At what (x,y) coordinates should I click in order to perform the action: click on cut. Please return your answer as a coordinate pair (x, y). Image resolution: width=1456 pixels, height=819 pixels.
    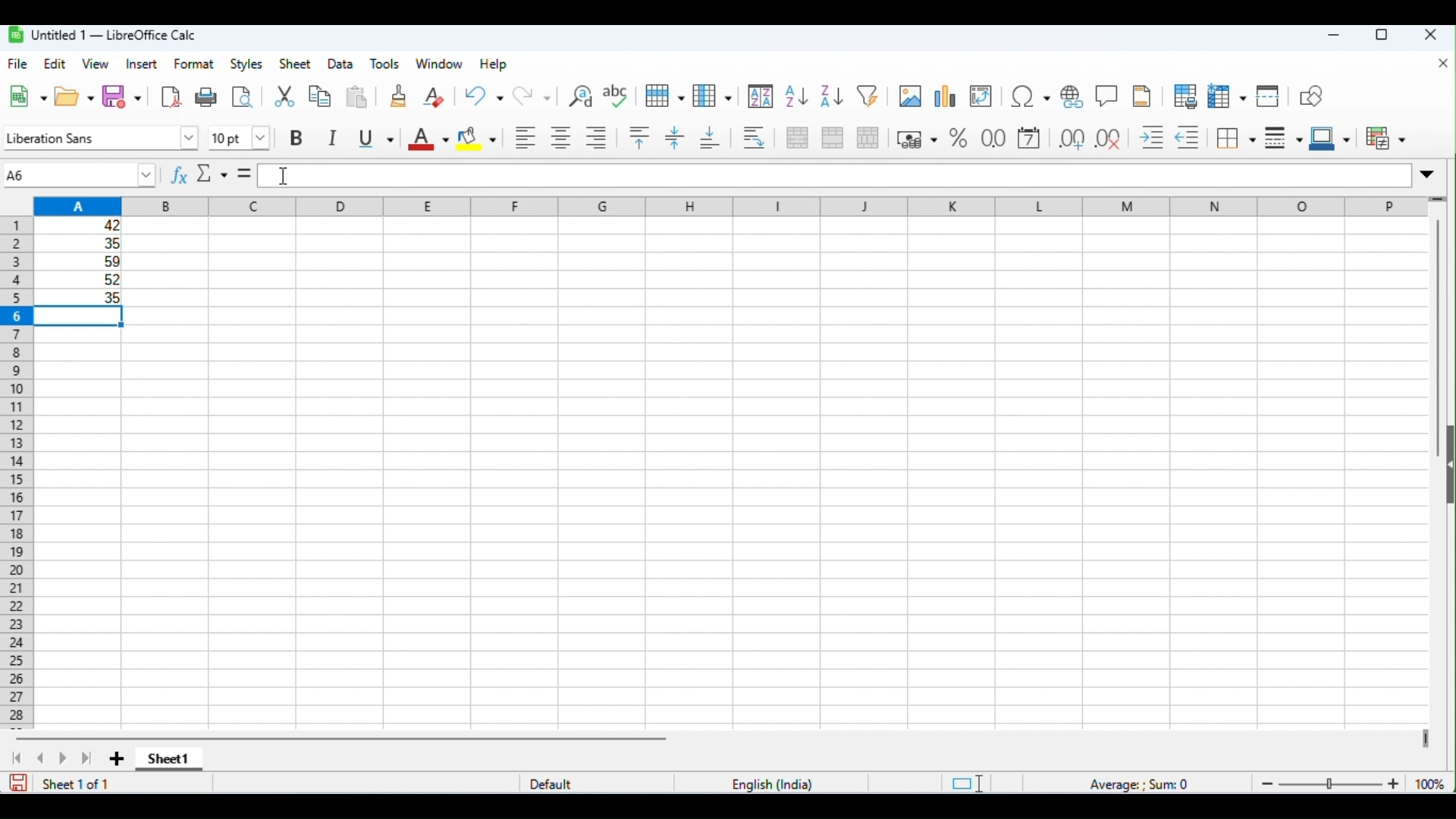
    Looking at the image, I should click on (287, 97).